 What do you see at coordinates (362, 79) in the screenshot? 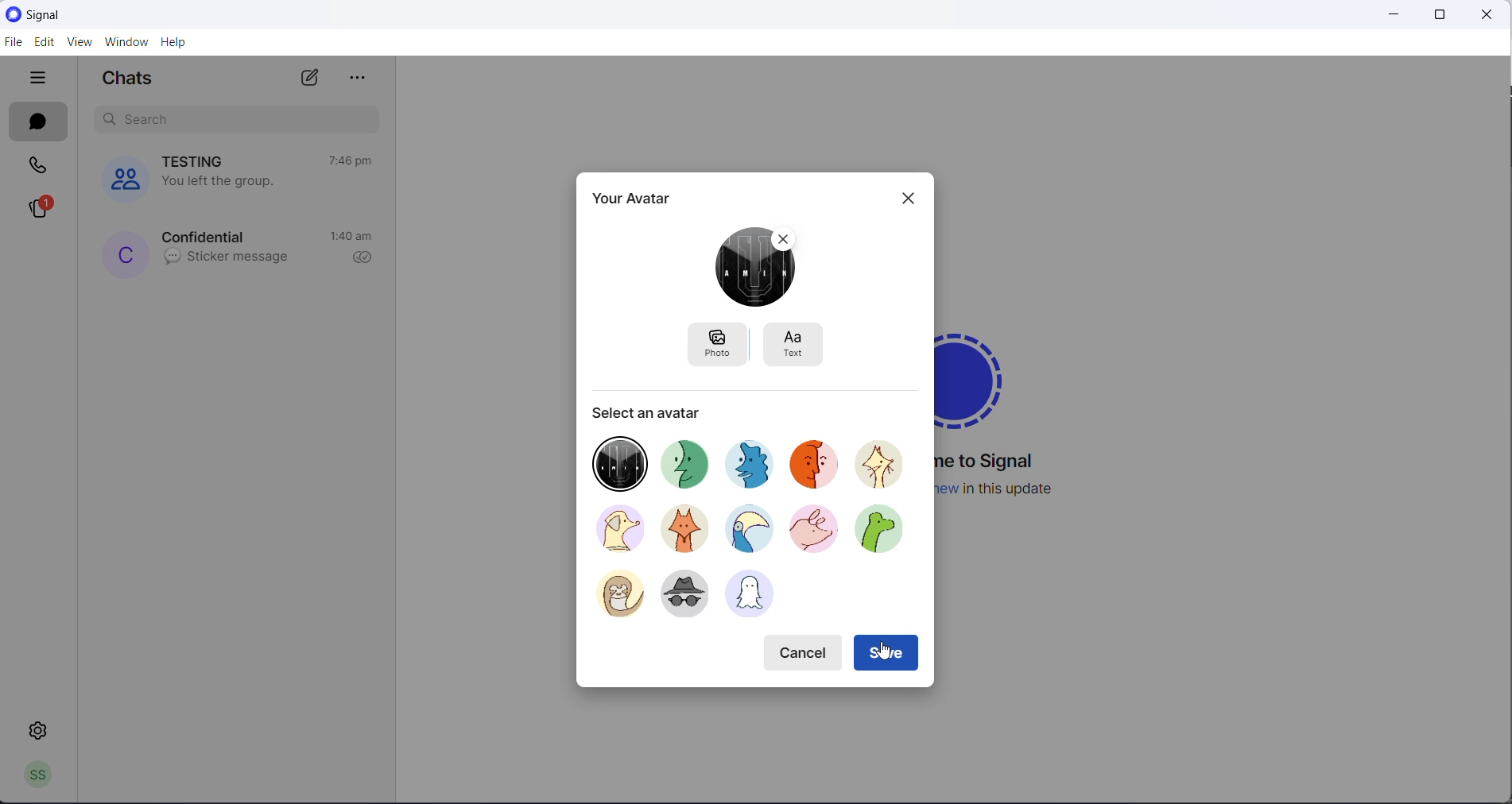
I see `more options` at bounding box center [362, 79].